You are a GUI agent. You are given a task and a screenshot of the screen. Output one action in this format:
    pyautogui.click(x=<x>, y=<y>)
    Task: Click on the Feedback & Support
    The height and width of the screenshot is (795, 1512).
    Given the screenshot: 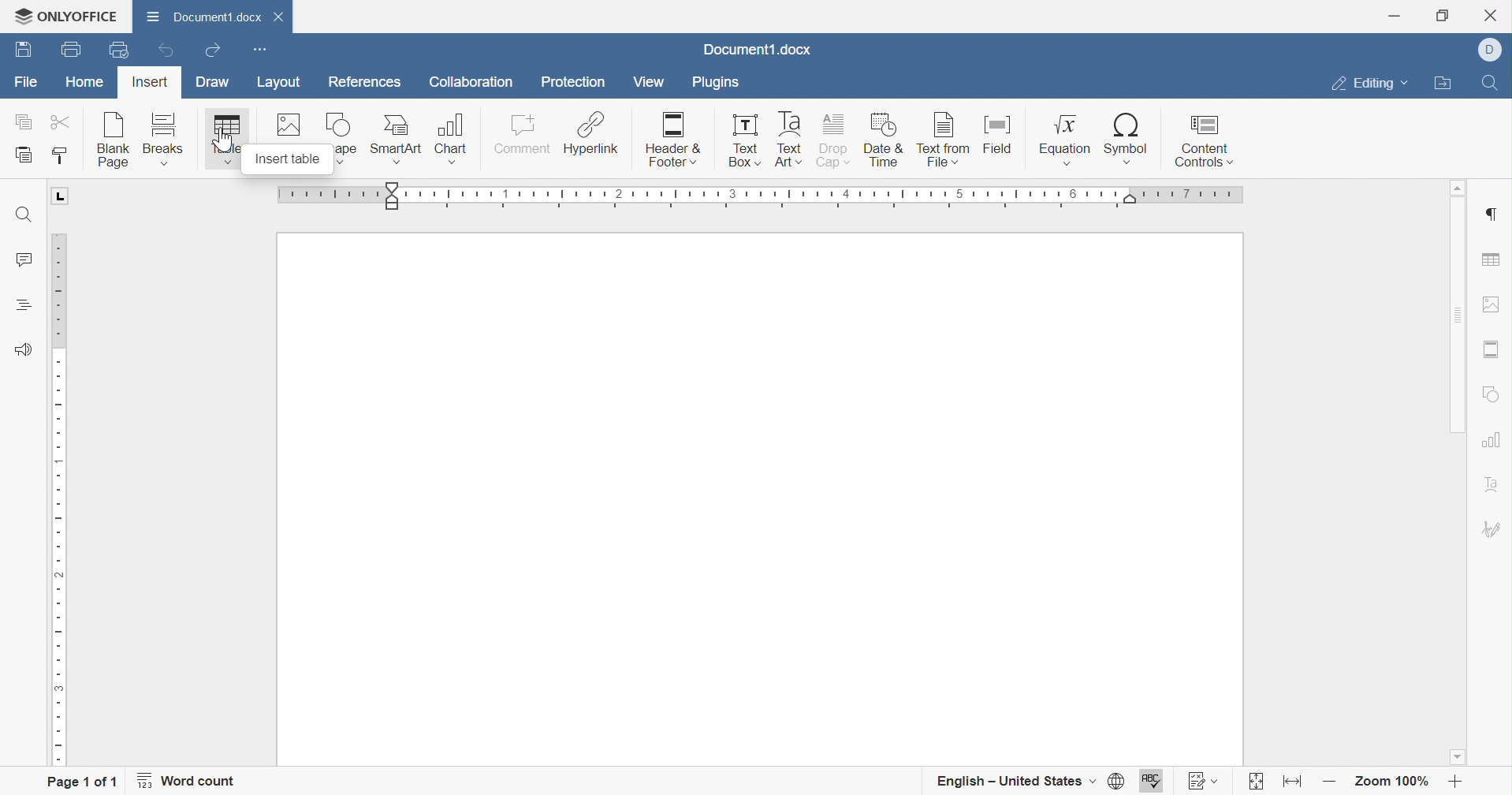 What is the action you would take?
    pyautogui.click(x=22, y=349)
    